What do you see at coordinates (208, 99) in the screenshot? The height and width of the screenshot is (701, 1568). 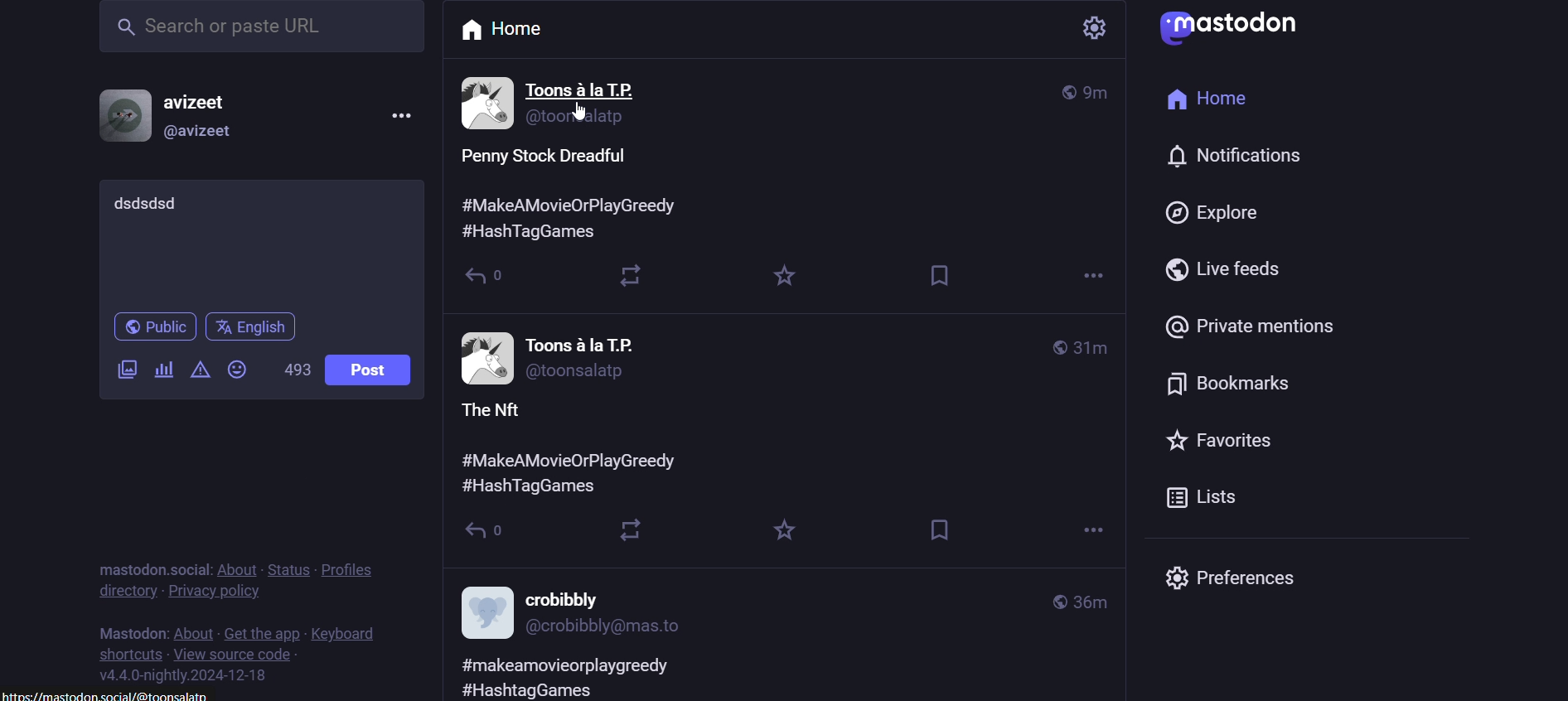 I see `username` at bounding box center [208, 99].